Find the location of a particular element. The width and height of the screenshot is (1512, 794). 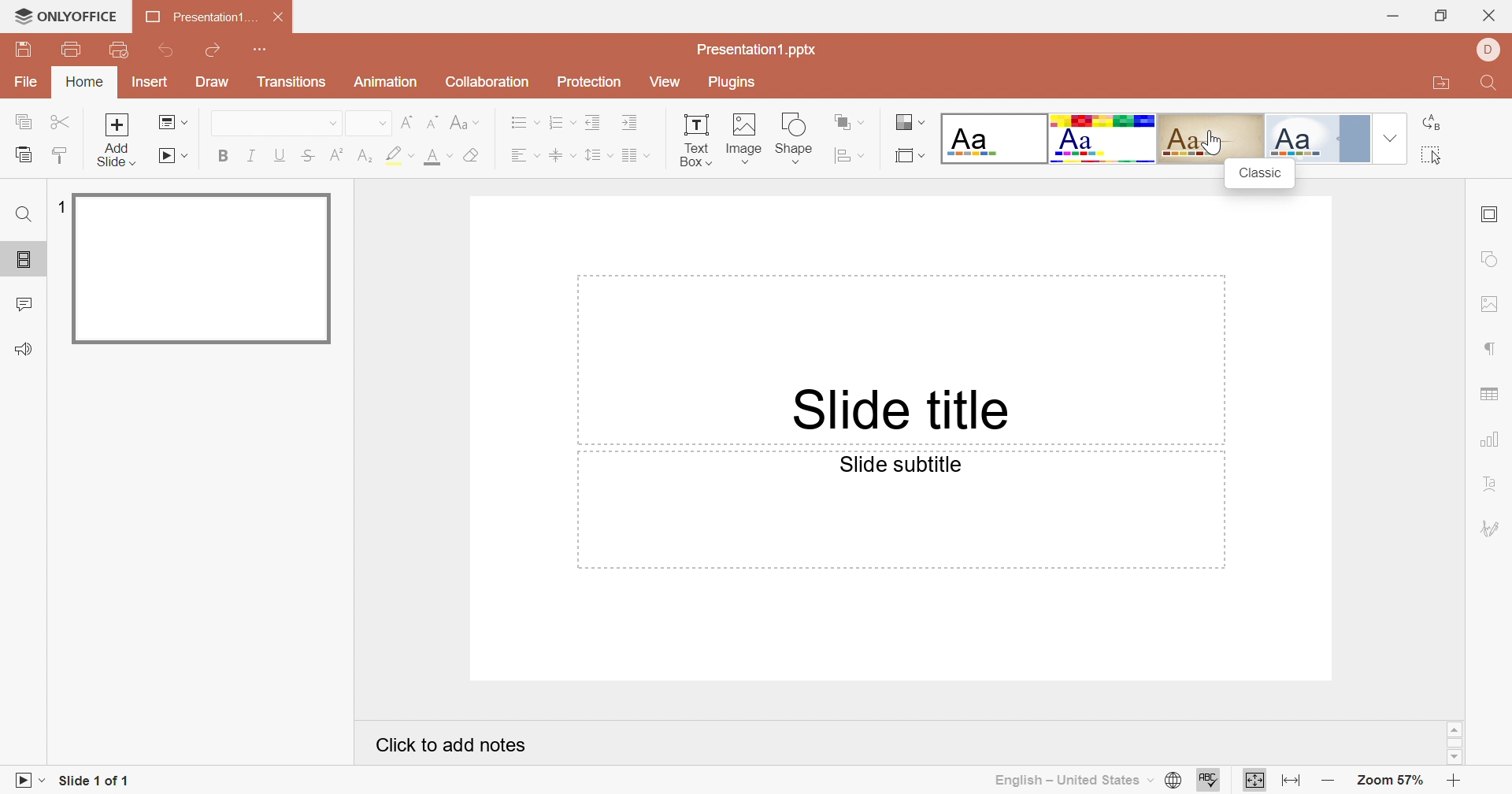

Select slide size is located at coordinates (902, 158).